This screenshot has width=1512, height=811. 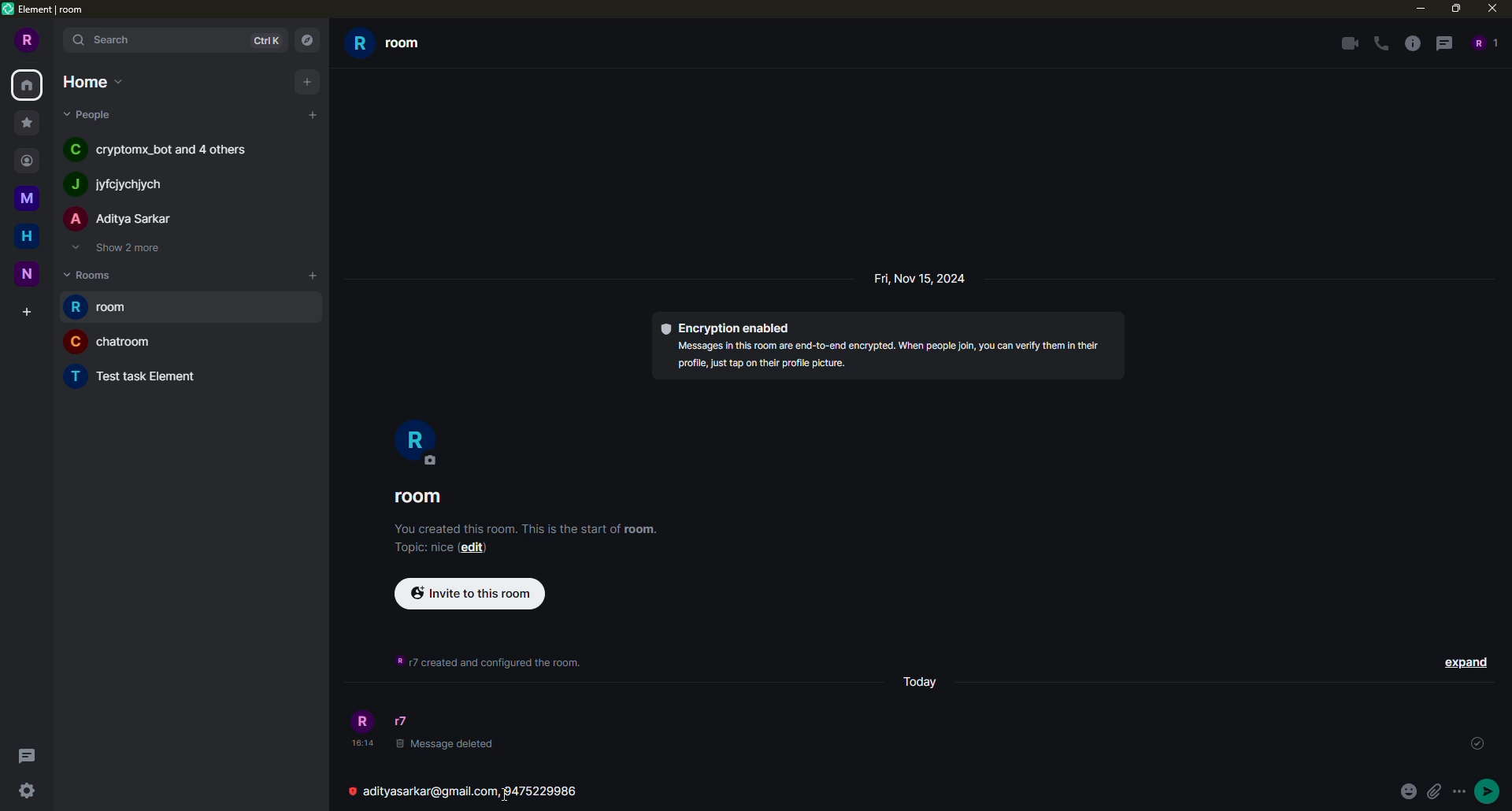 I want to click on emoji, so click(x=1406, y=791).